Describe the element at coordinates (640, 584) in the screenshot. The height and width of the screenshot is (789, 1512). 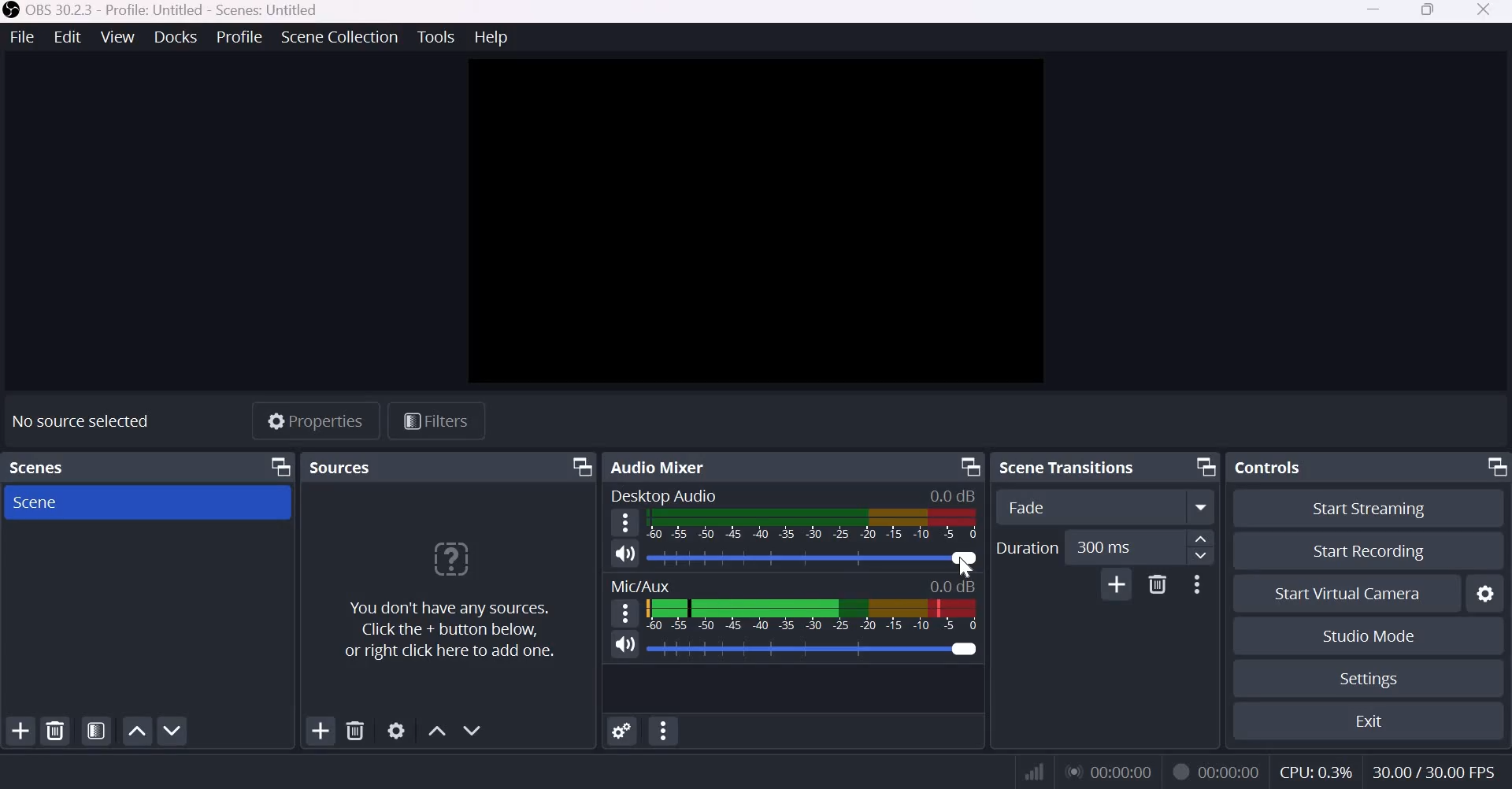
I see `Mic/Aux` at that location.